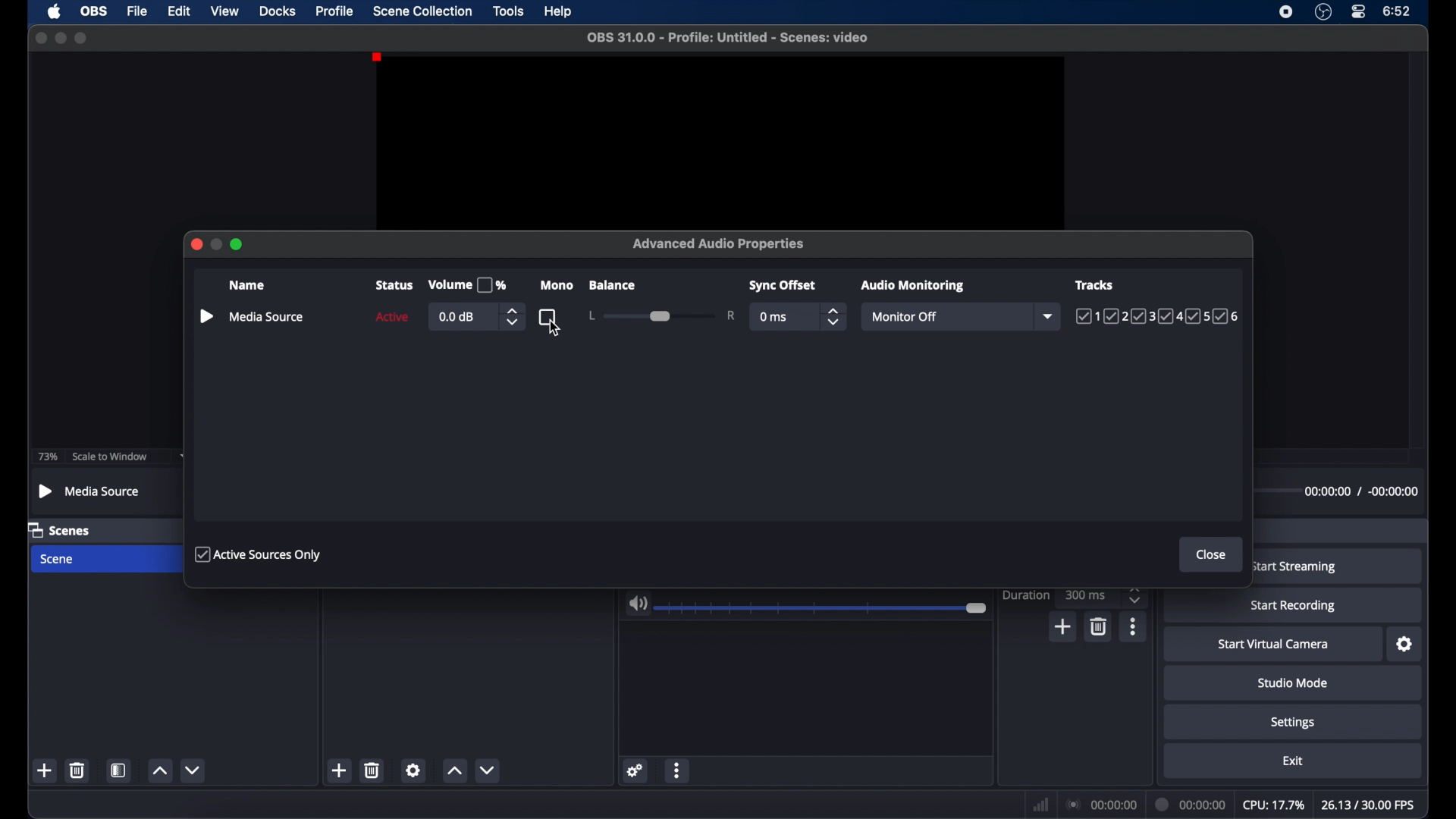  What do you see at coordinates (109, 457) in the screenshot?
I see `scale to window` at bounding box center [109, 457].